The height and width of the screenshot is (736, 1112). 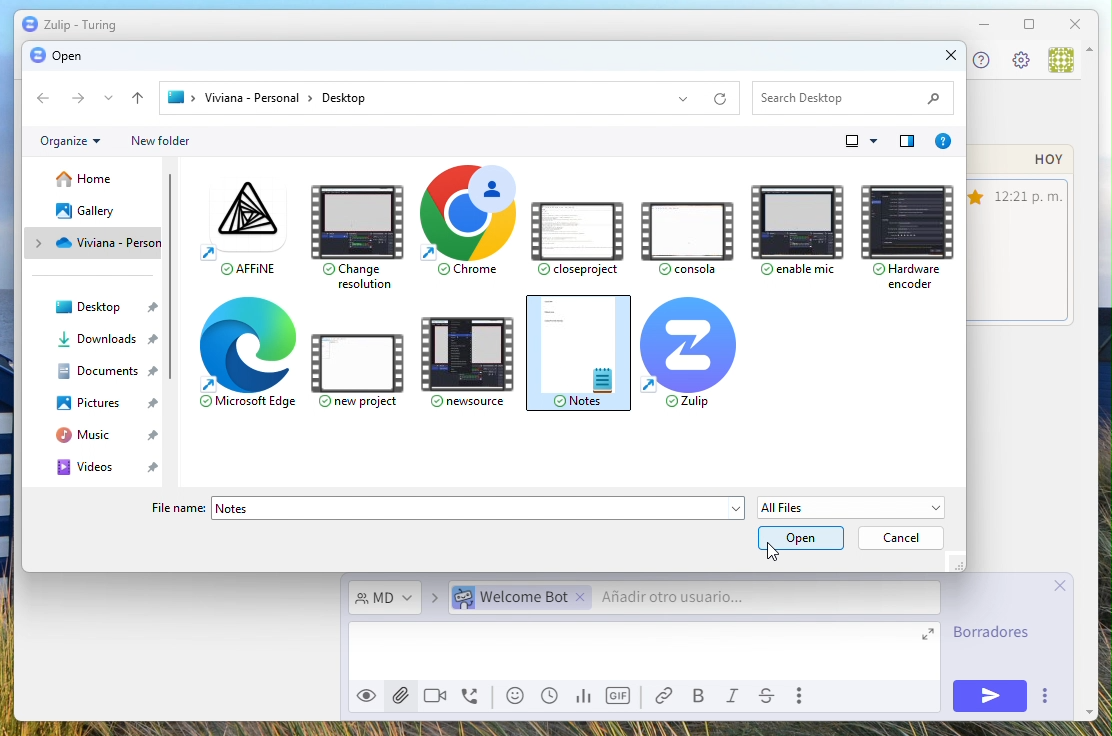 What do you see at coordinates (385, 599) in the screenshot?
I see `direct messages` at bounding box center [385, 599].